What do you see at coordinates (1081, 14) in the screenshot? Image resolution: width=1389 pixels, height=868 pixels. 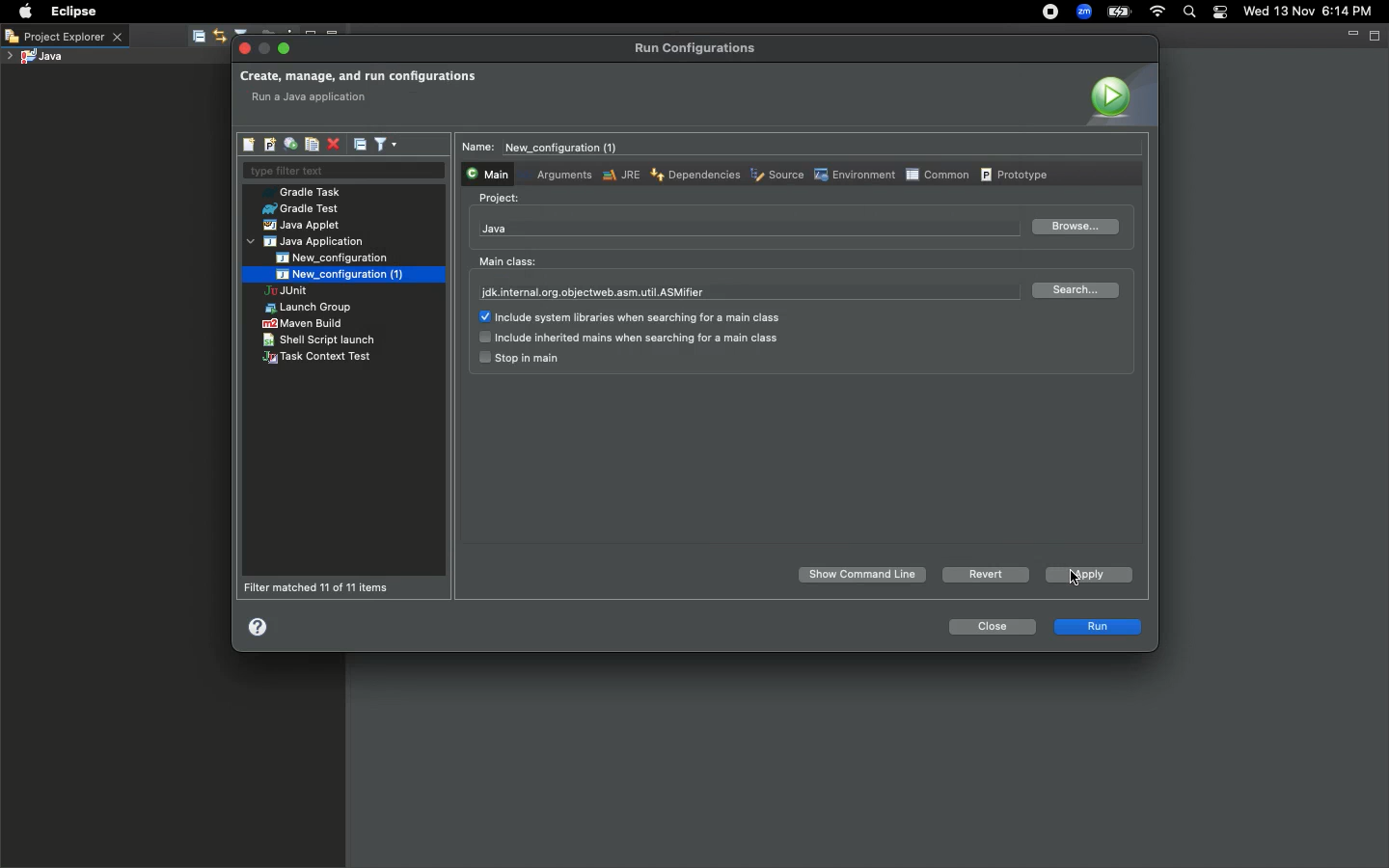 I see `Zoom` at bounding box center [1081, 14].